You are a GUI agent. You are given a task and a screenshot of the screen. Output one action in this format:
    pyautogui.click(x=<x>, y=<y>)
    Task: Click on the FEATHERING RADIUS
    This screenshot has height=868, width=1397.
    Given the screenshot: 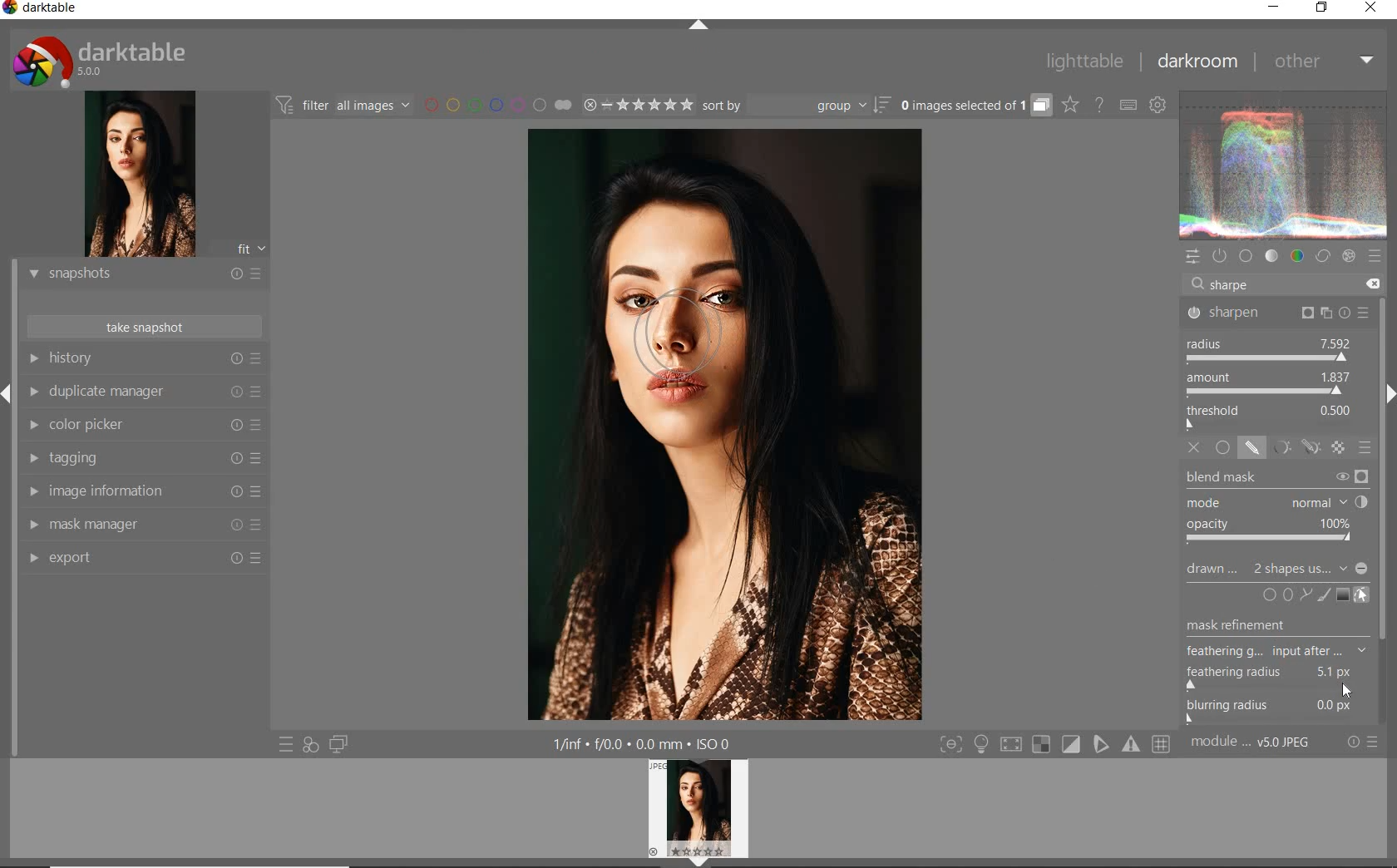 What is the action you would take?
    pyautogui.click(x=1281, y=674)
    